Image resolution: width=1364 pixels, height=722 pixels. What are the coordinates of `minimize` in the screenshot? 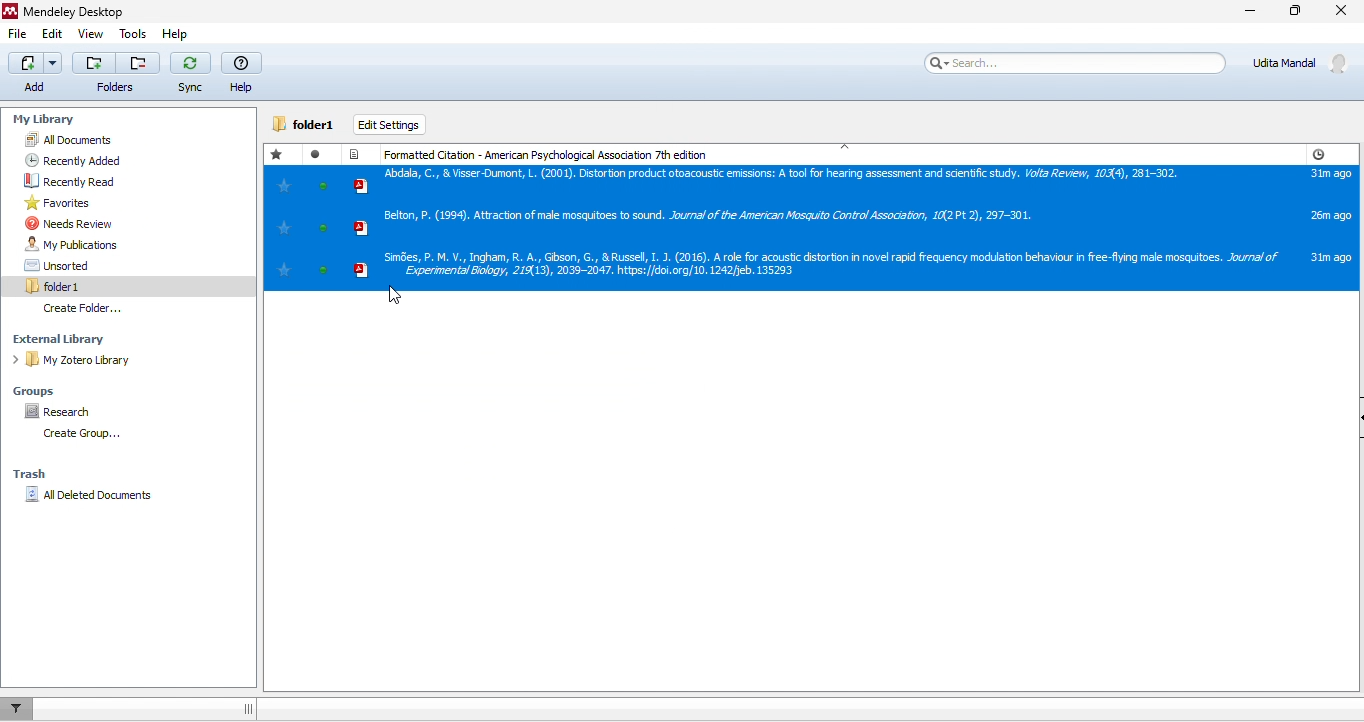 It's located at (1240, 17).